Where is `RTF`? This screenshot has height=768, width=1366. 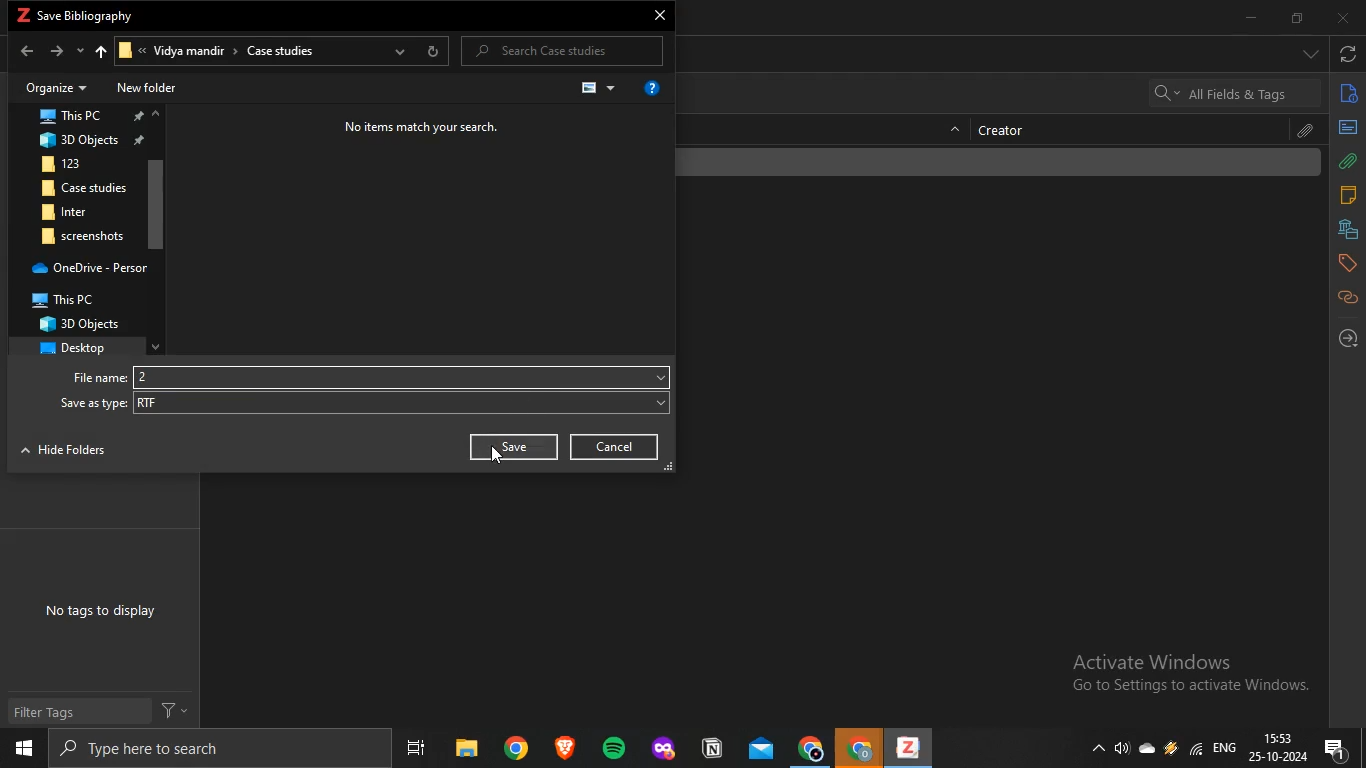 RTF is located at coordinates (400, 402).